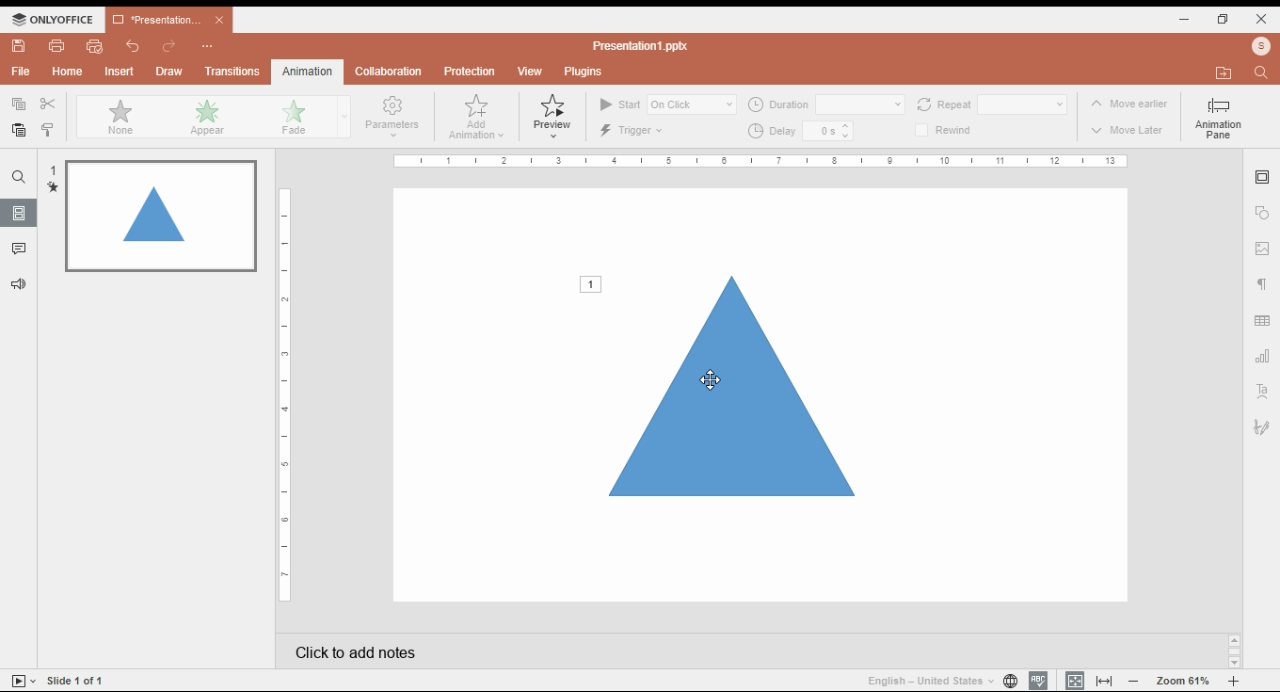 This screenshot has width=1280, height=692. Describe the element at coordinates (1263, 320) in the screenshot. I see `table  settings` at that location.